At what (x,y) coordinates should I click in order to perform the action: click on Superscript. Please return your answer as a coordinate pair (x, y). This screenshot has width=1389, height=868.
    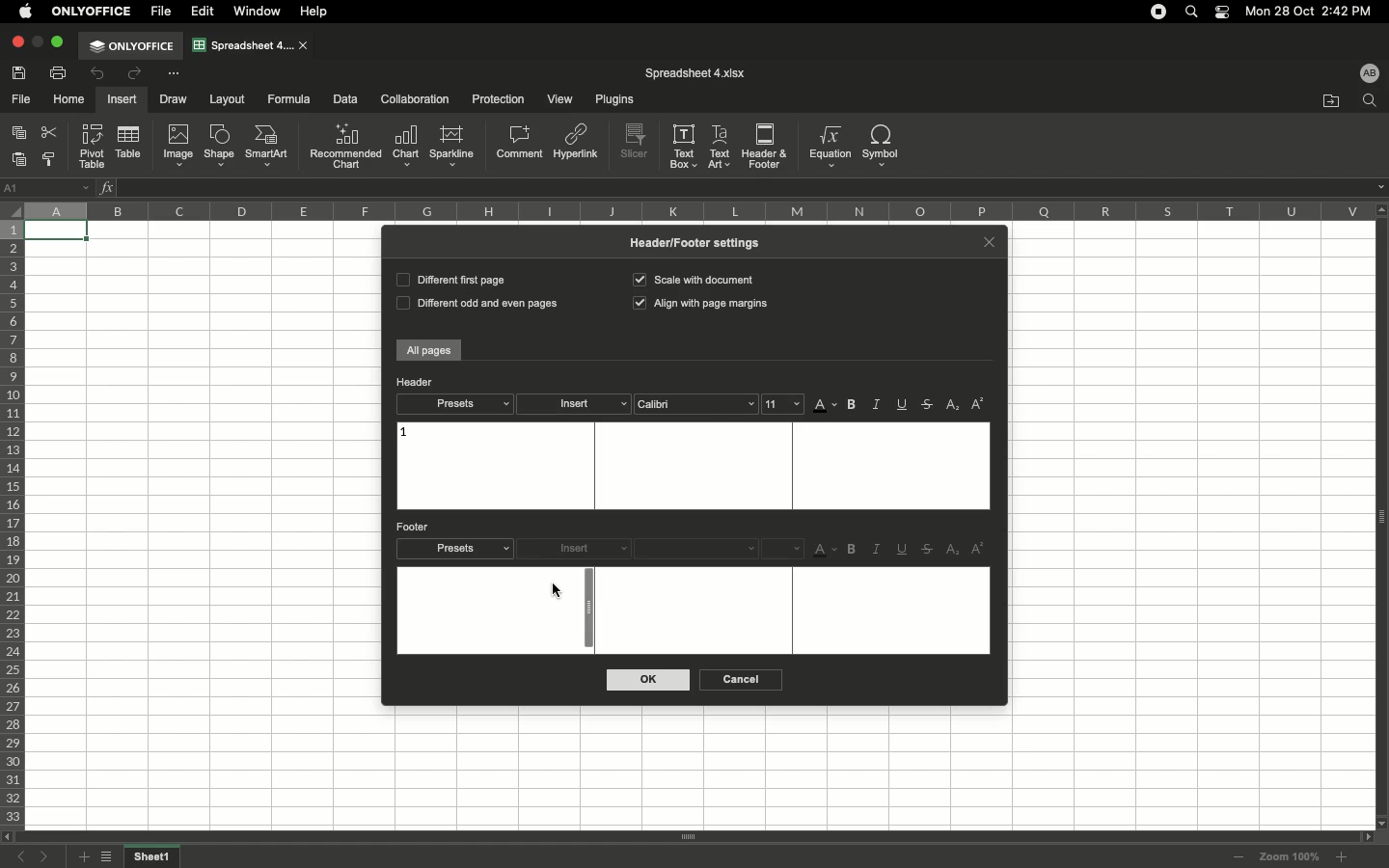
    Looking at the image, I should click on (978, 404).